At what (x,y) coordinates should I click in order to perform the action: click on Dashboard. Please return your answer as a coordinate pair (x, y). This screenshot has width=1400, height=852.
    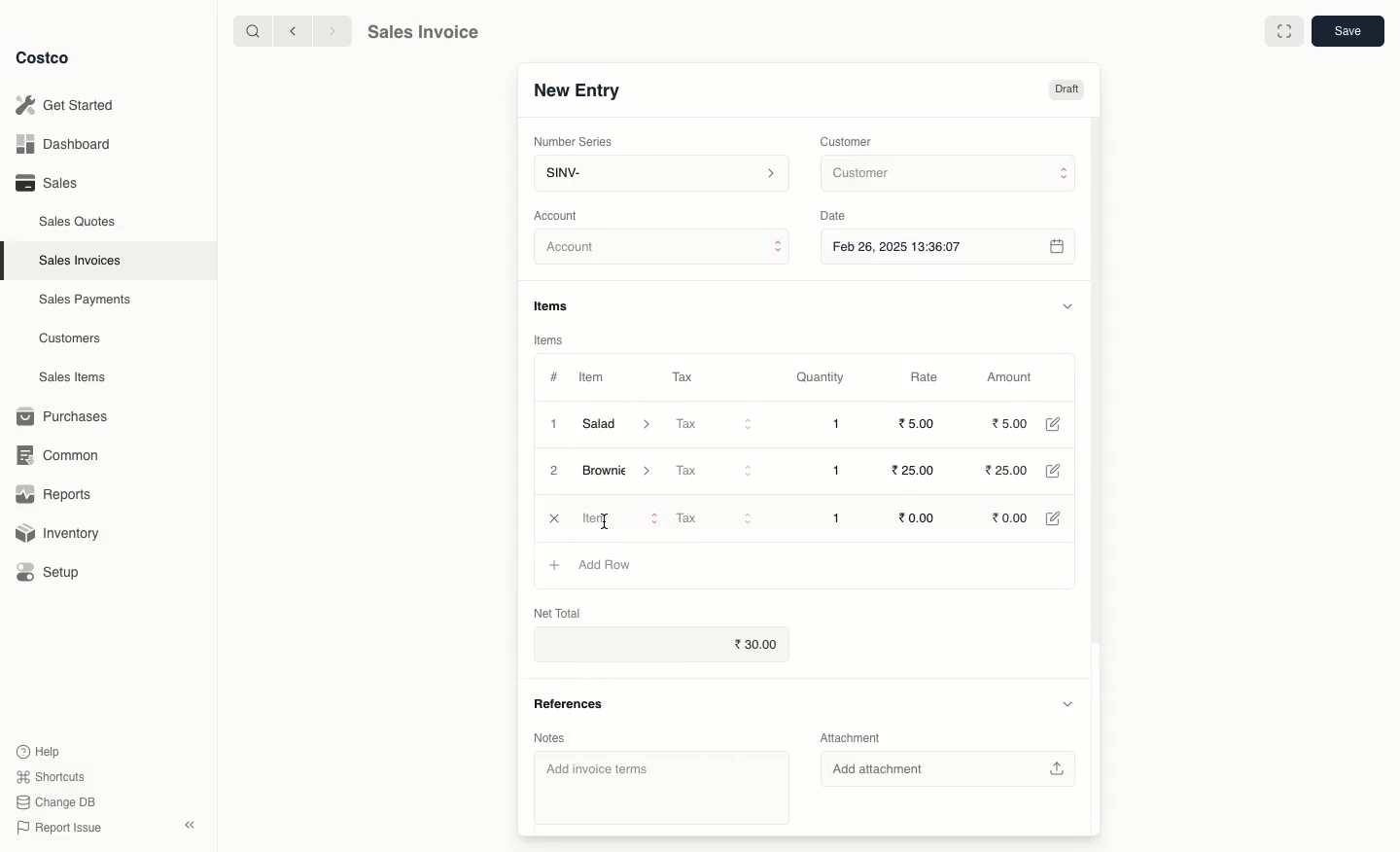
    Looking at the image, I should click on (60, 145).